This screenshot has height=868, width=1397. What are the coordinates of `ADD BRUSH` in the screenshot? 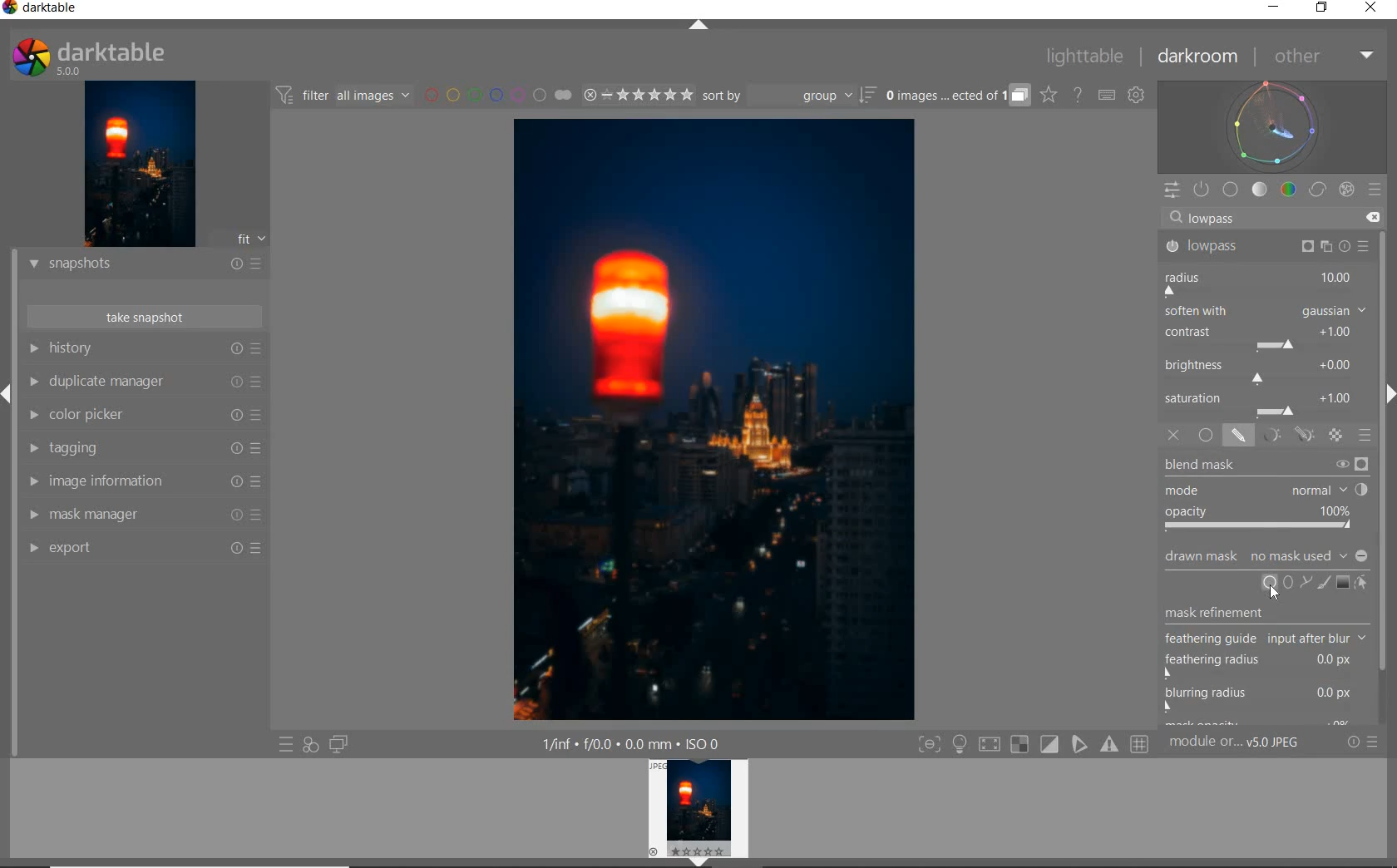 It's located at (1322, 582).